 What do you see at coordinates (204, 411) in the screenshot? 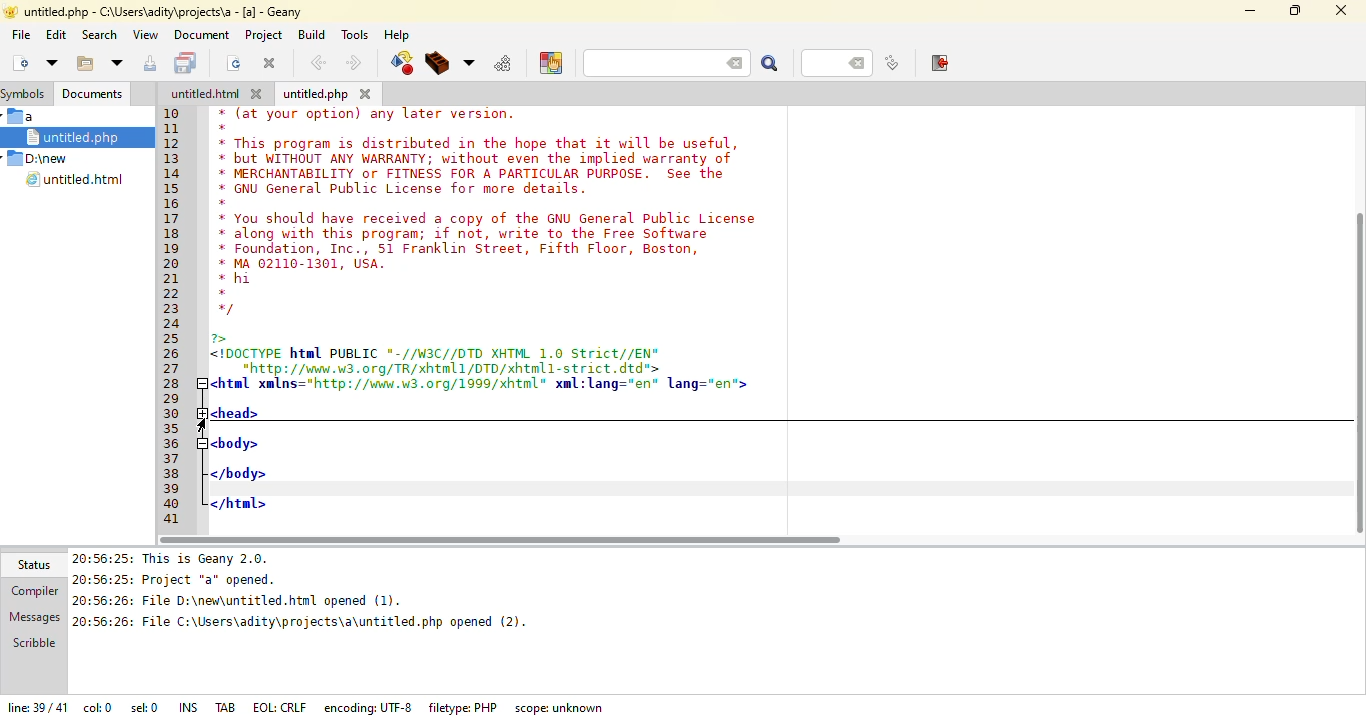
I see `expand` at bounding box center [204, 411].